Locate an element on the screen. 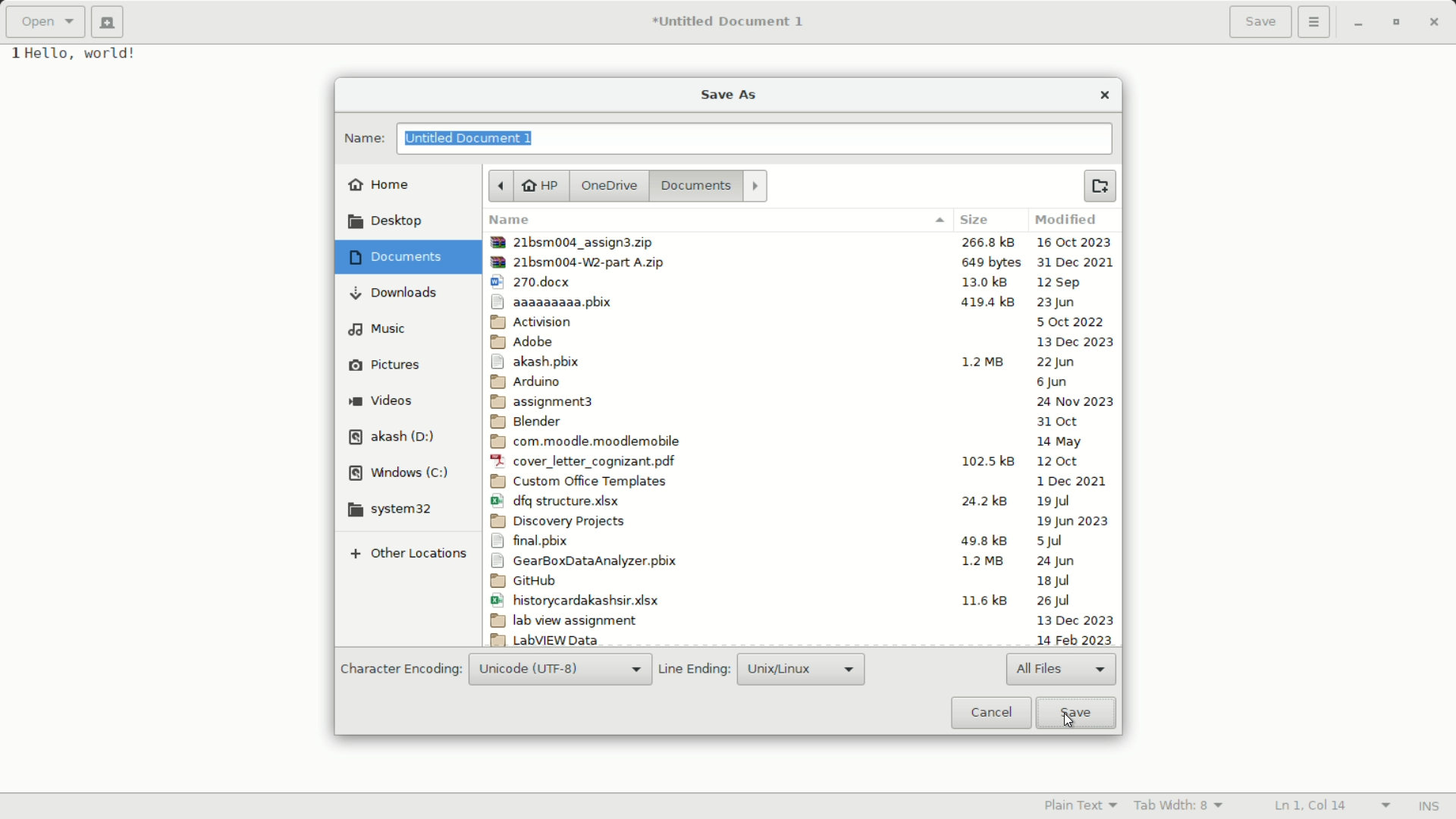 This screenshot has width=1456, height=819. cursor is located at coordinates (1068, 720).